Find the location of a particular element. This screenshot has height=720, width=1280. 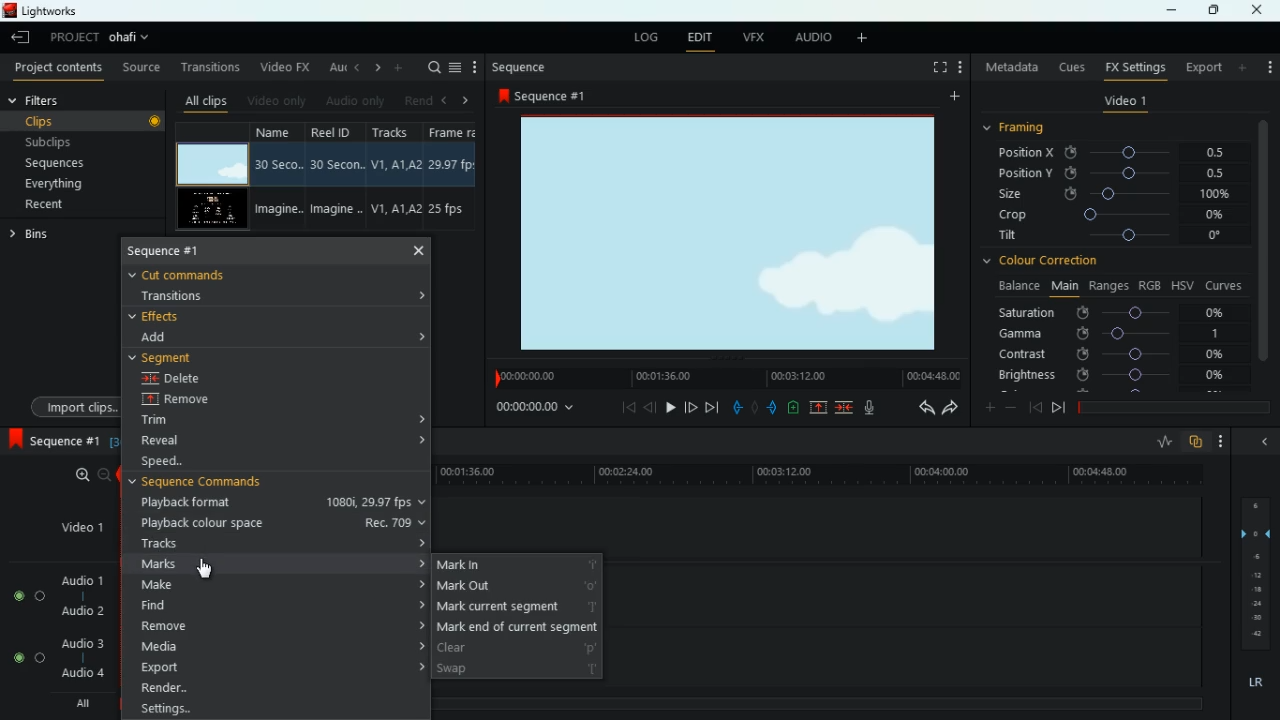

play is located at coordinates (670, 406).